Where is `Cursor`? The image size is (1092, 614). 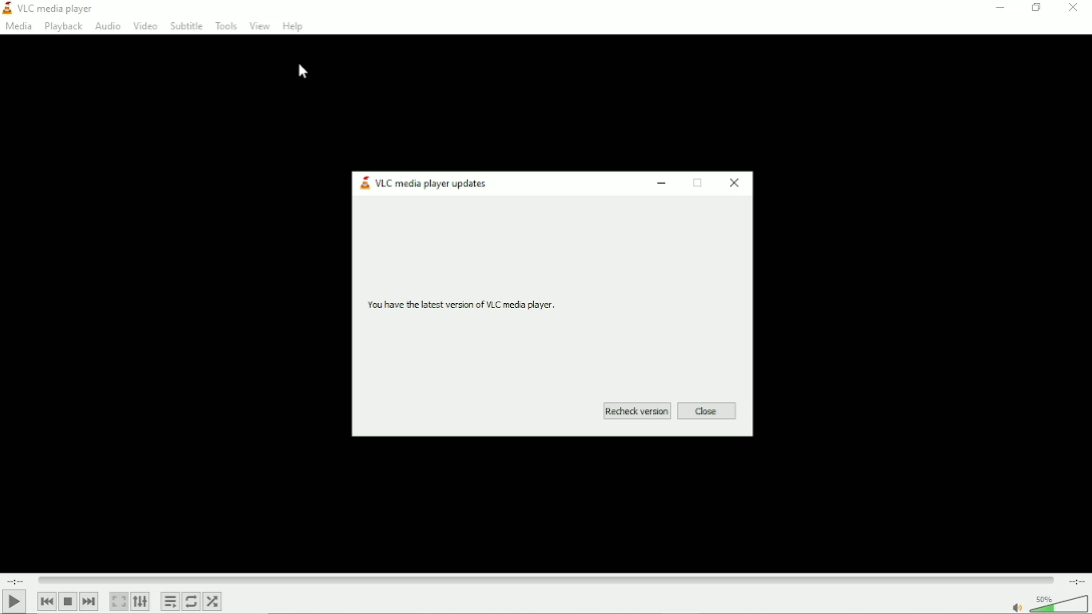
Cursor is located at coordinates (304, 71).